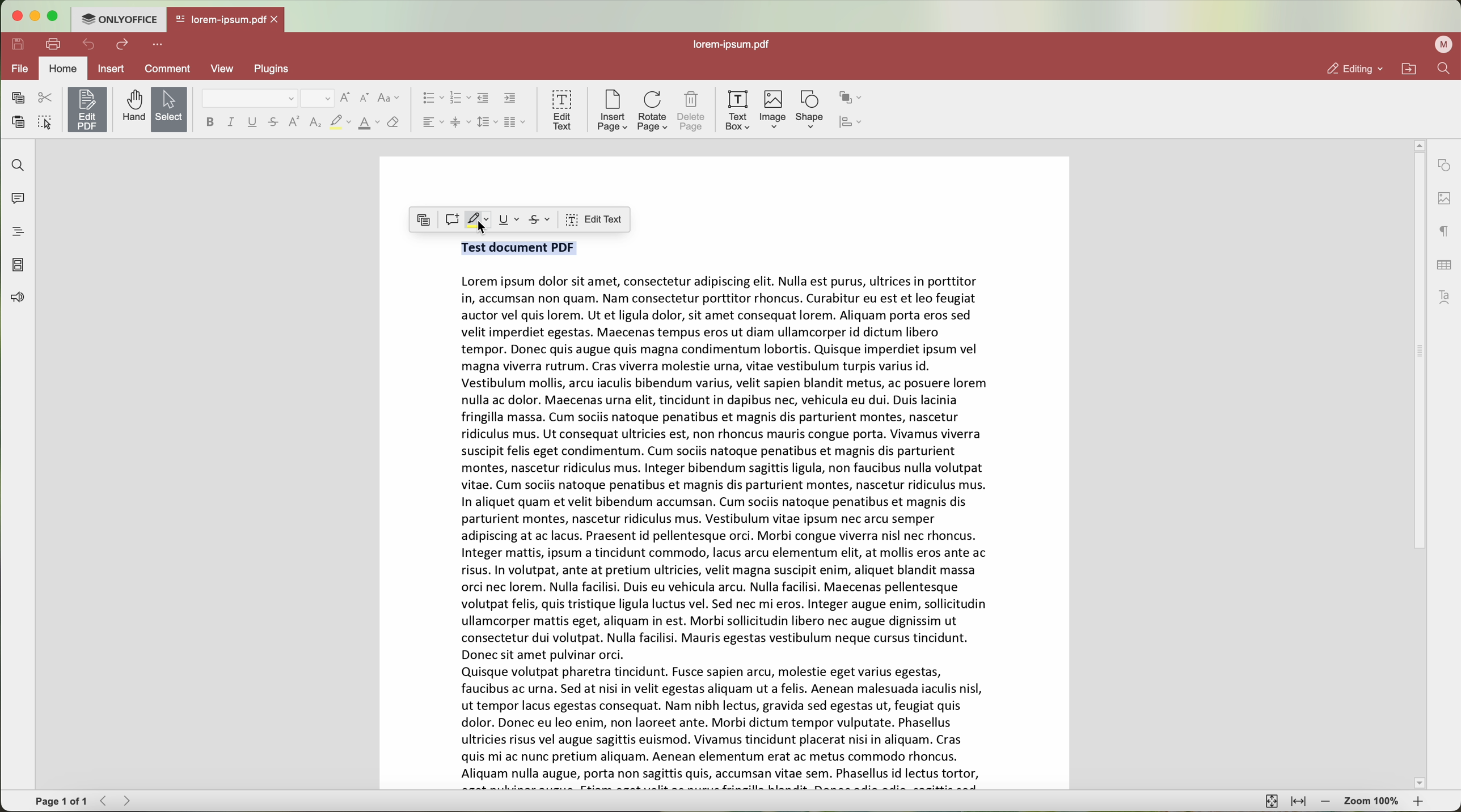  I want to click on superscript, so click(293, 122).